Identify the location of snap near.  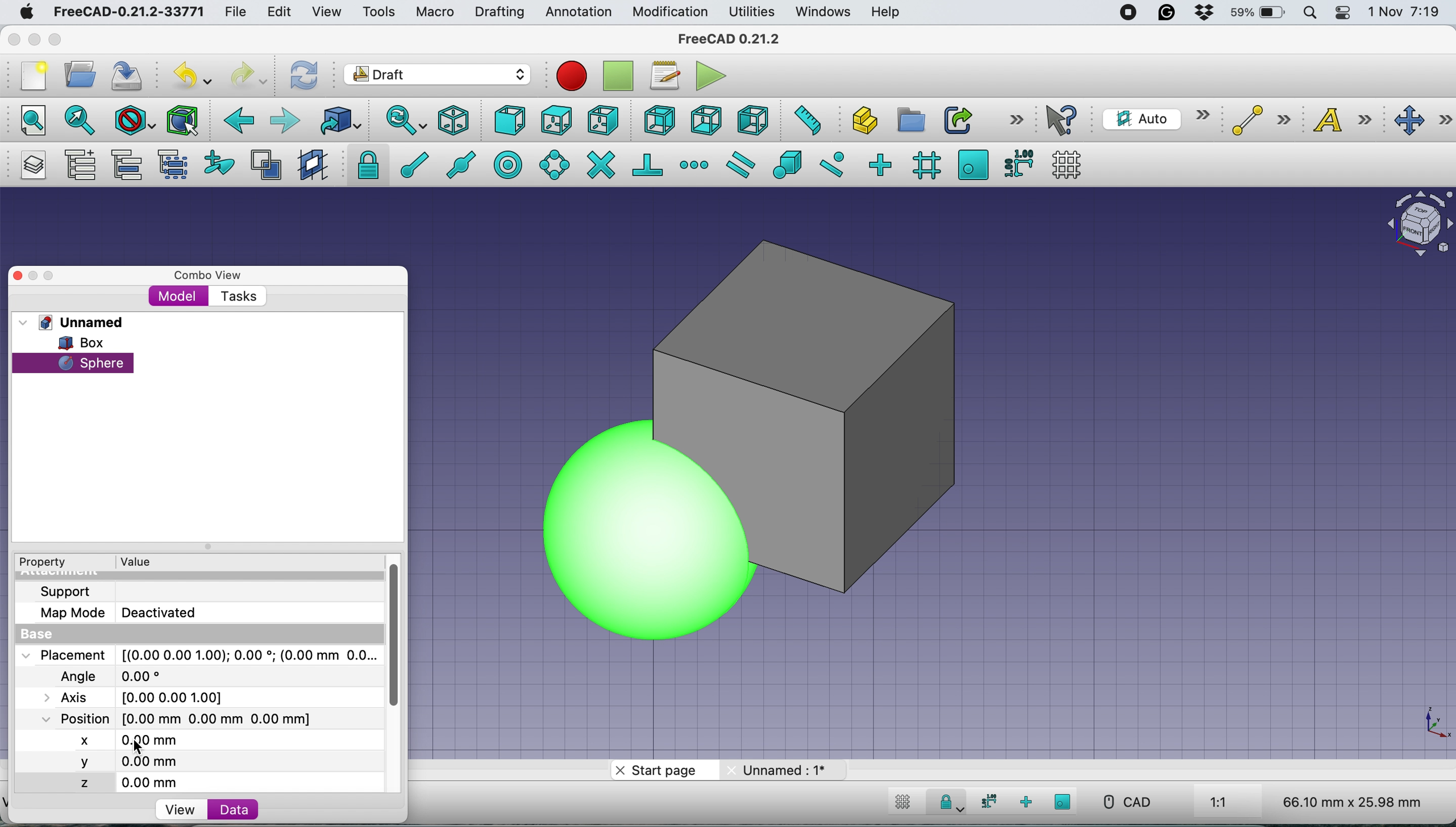
(832, 163).